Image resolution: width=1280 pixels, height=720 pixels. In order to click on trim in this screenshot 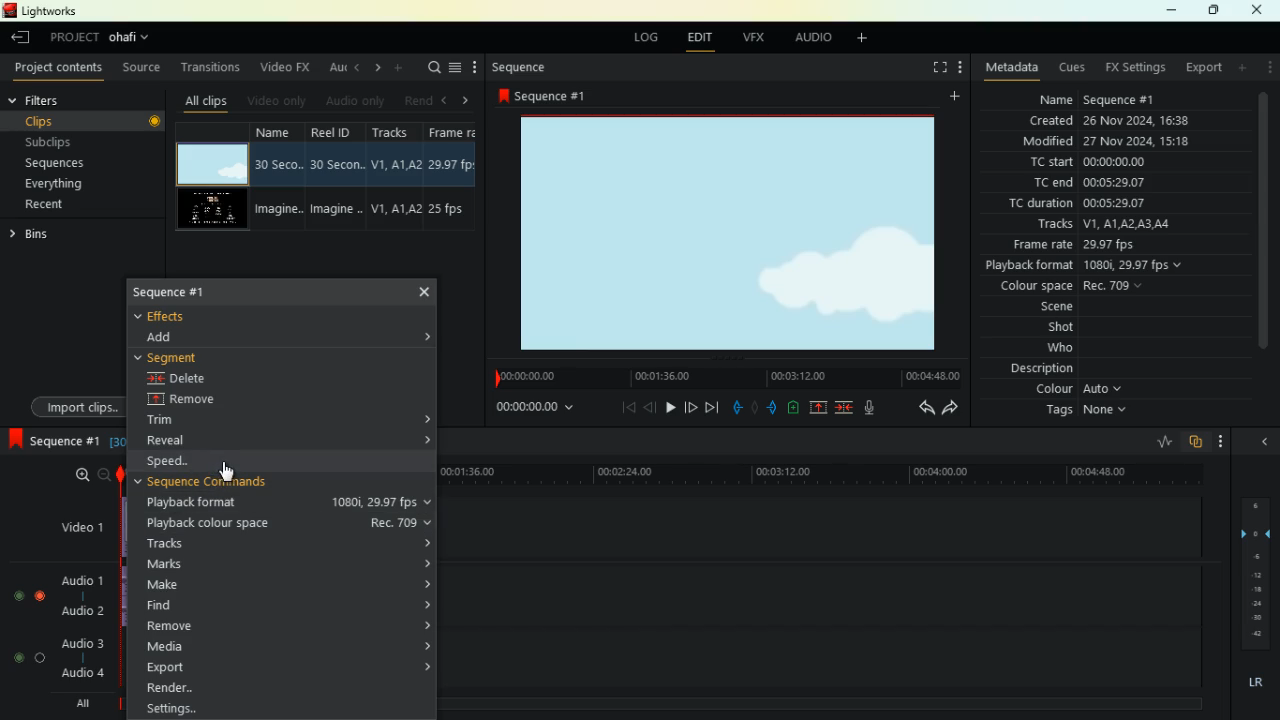, I will do `click(174, 419)`.